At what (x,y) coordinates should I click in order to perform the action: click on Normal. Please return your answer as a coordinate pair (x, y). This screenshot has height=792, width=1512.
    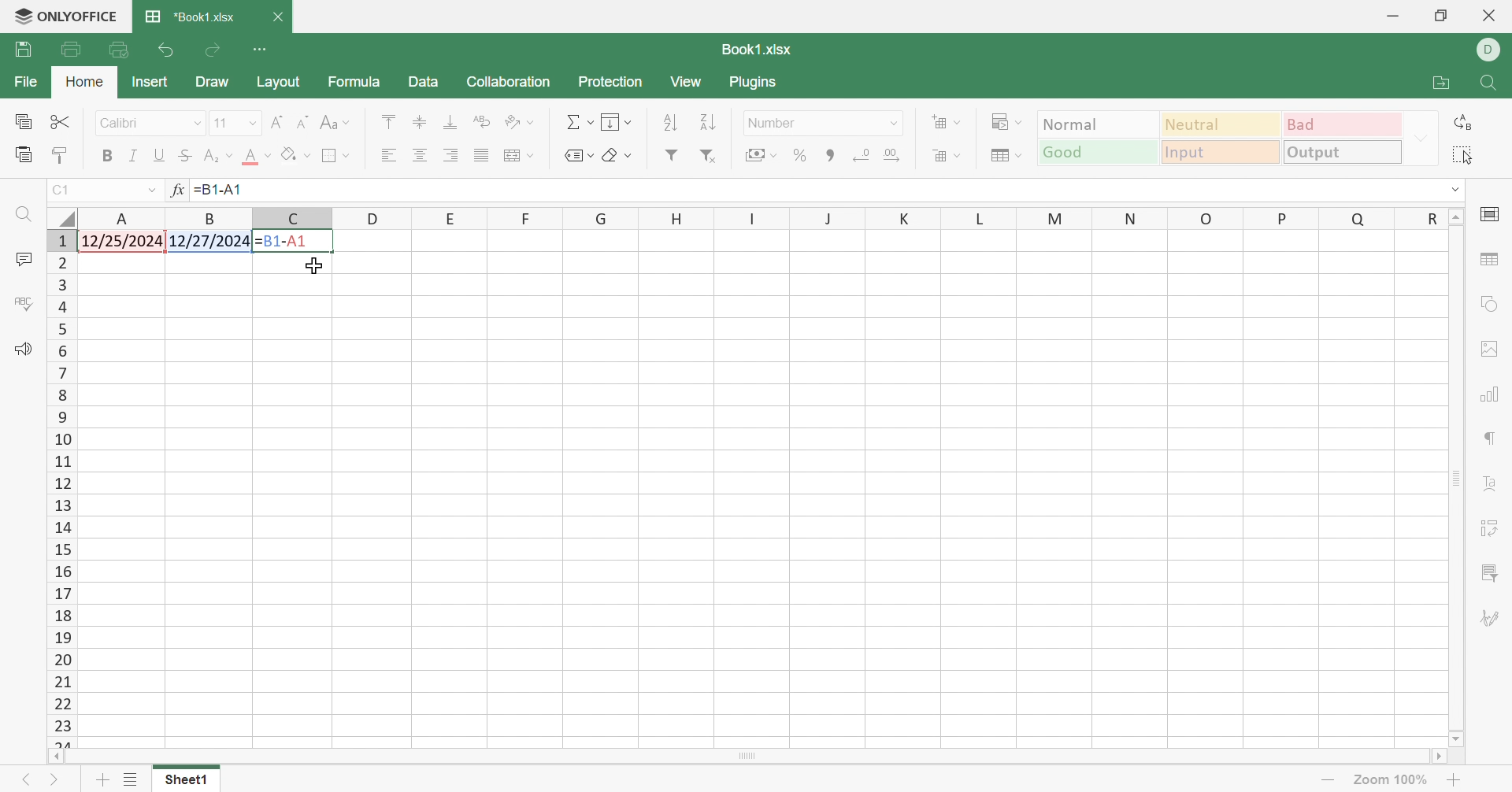
    Looking at the image, I should click on (1099, 124).